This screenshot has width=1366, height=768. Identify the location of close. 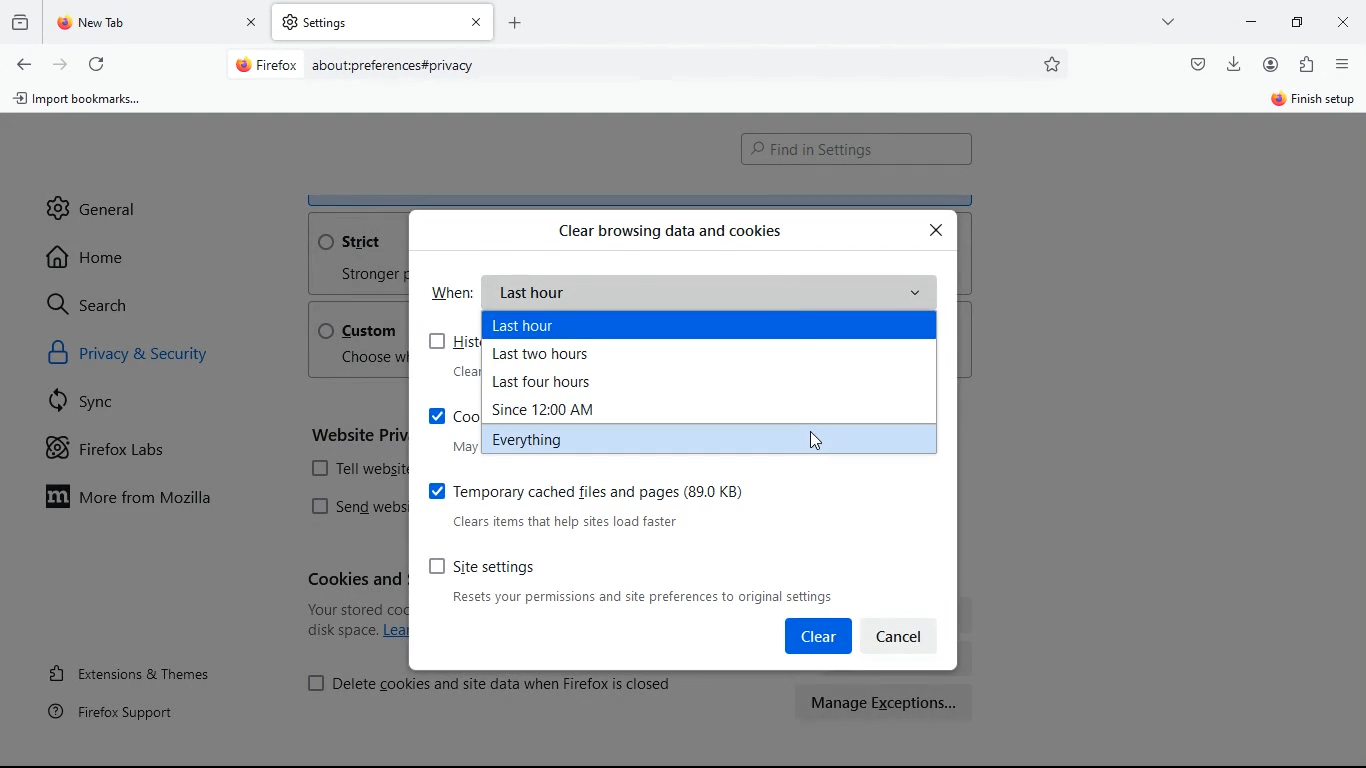
(938, 230).